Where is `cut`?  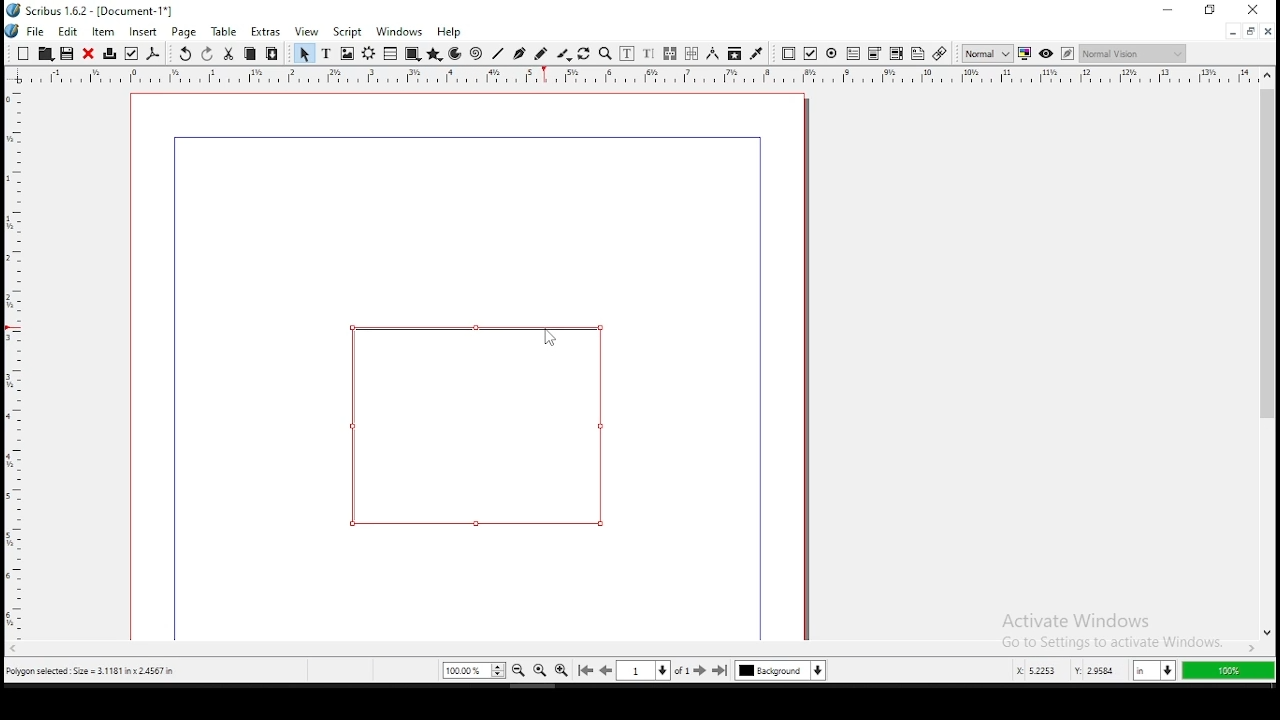
cut is located at coordinates (229, 55).